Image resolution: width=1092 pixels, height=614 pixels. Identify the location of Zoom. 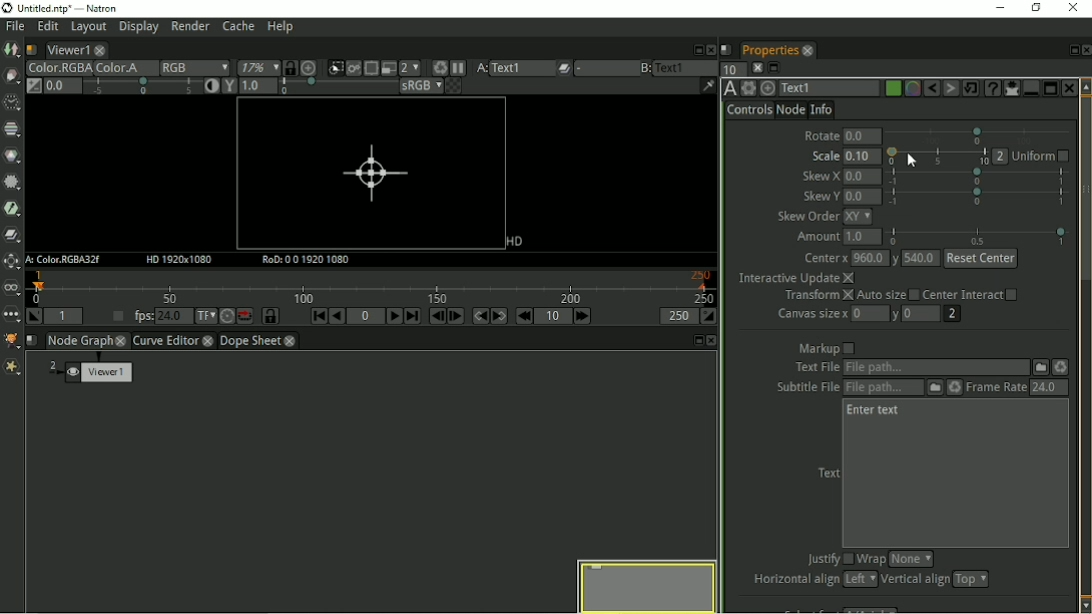
(259, 67).